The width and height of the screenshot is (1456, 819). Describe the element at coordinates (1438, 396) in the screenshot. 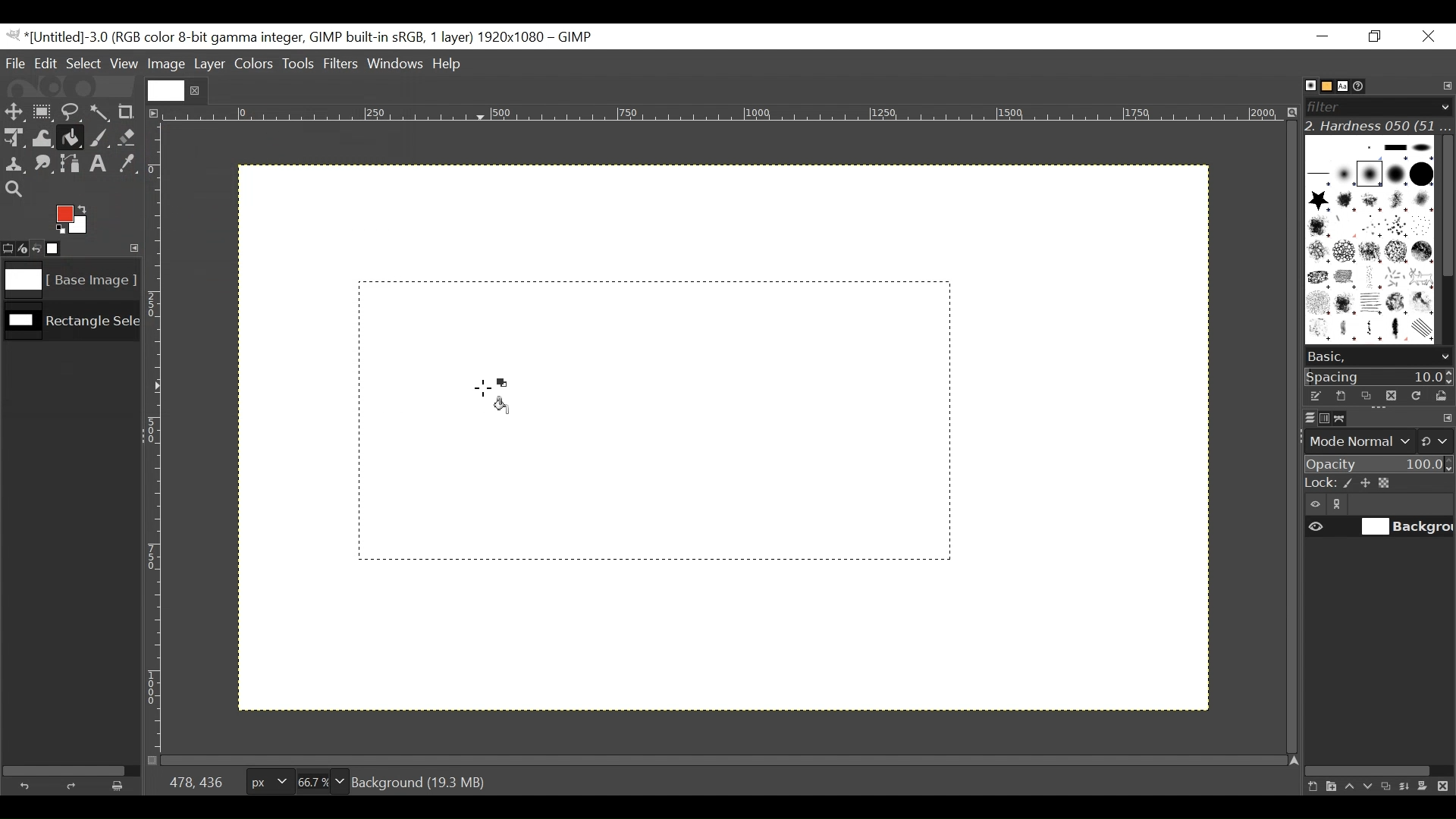

I see `Open` at that location.